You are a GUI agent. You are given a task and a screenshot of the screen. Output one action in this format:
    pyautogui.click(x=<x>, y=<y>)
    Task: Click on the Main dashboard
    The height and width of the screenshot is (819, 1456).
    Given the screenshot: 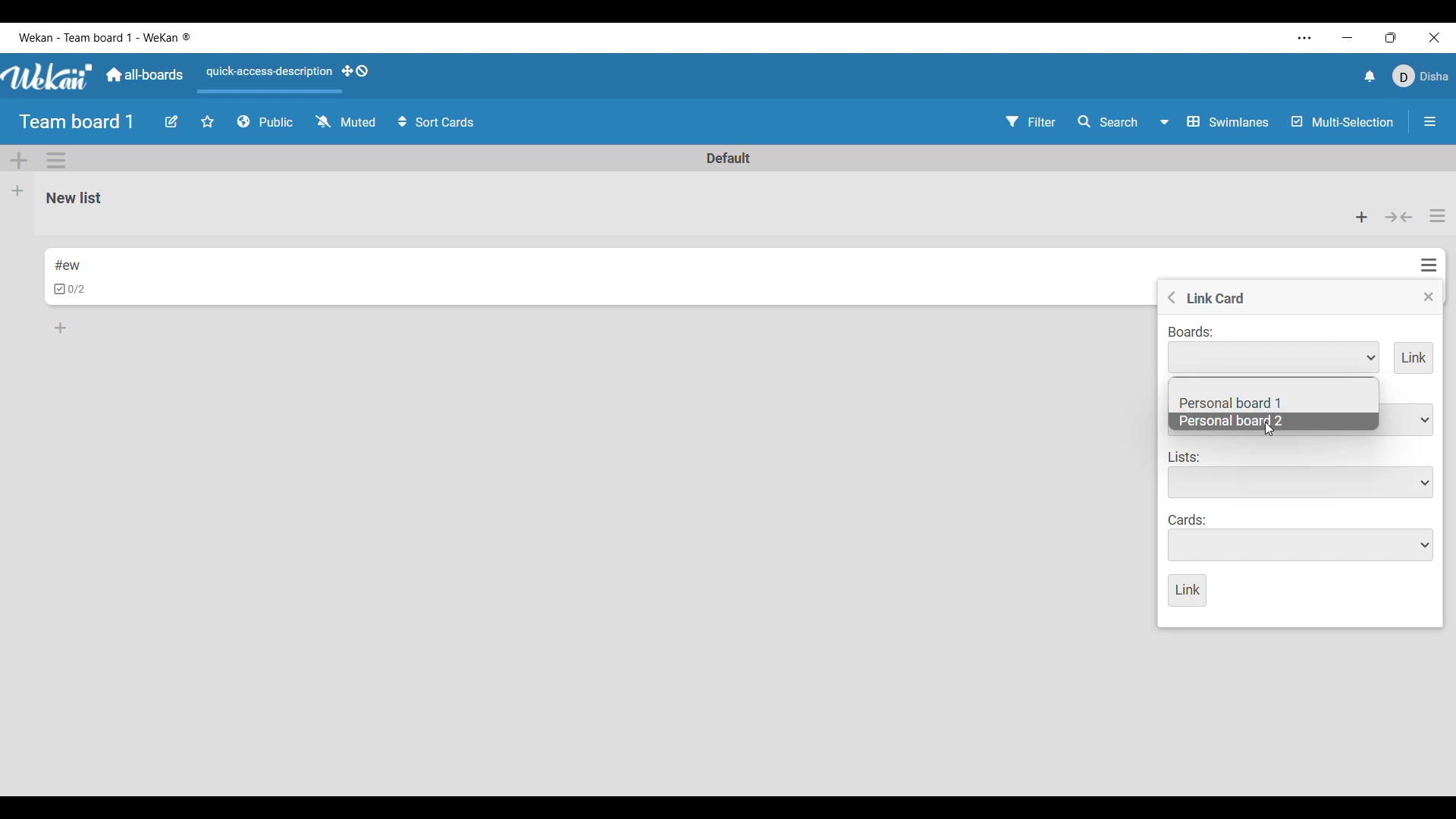 What is the action you would take?
    pyautogui.click(x=145, y=75)
    